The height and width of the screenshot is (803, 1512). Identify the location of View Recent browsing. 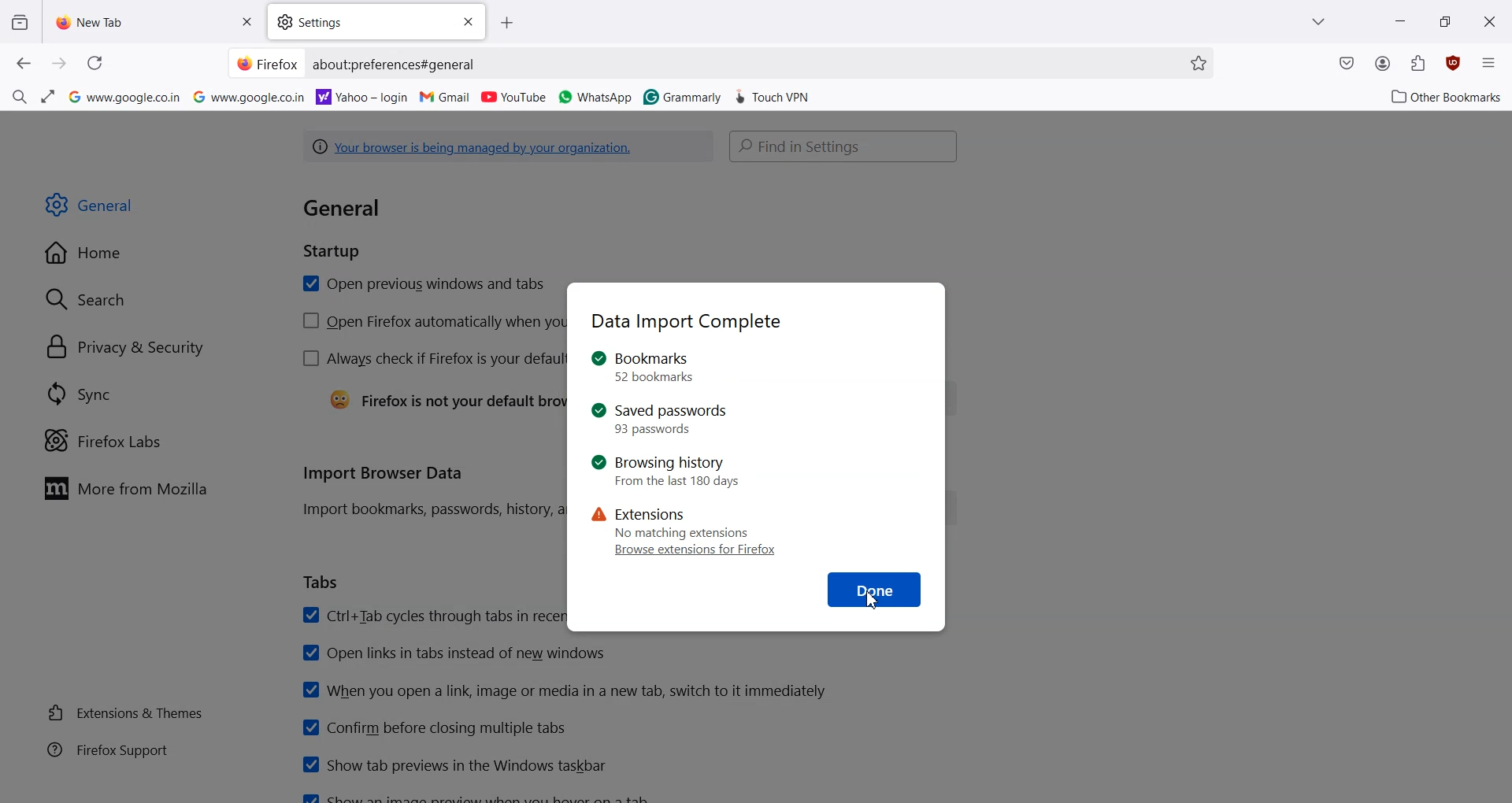
(20, 24).